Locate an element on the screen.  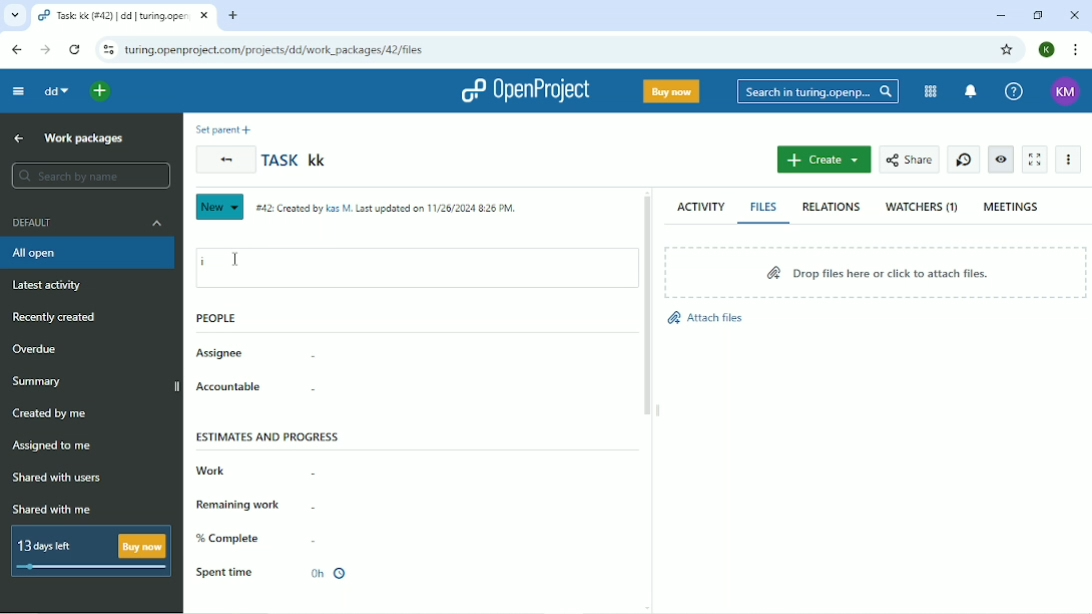
New is located at coordinates (219, 207).